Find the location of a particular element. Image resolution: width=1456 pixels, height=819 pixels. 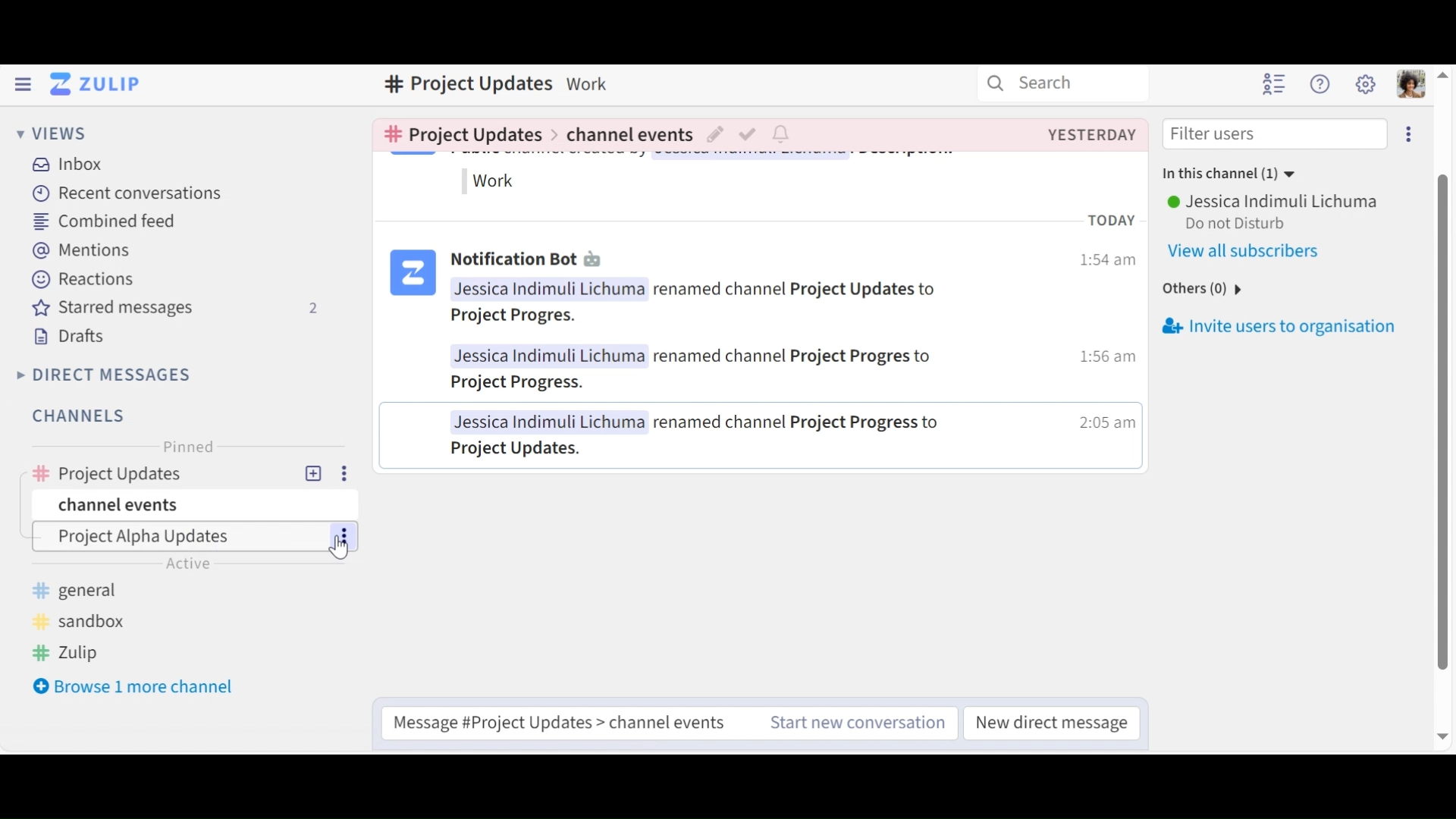

Hide user list is located at coordinates (1276, 83).